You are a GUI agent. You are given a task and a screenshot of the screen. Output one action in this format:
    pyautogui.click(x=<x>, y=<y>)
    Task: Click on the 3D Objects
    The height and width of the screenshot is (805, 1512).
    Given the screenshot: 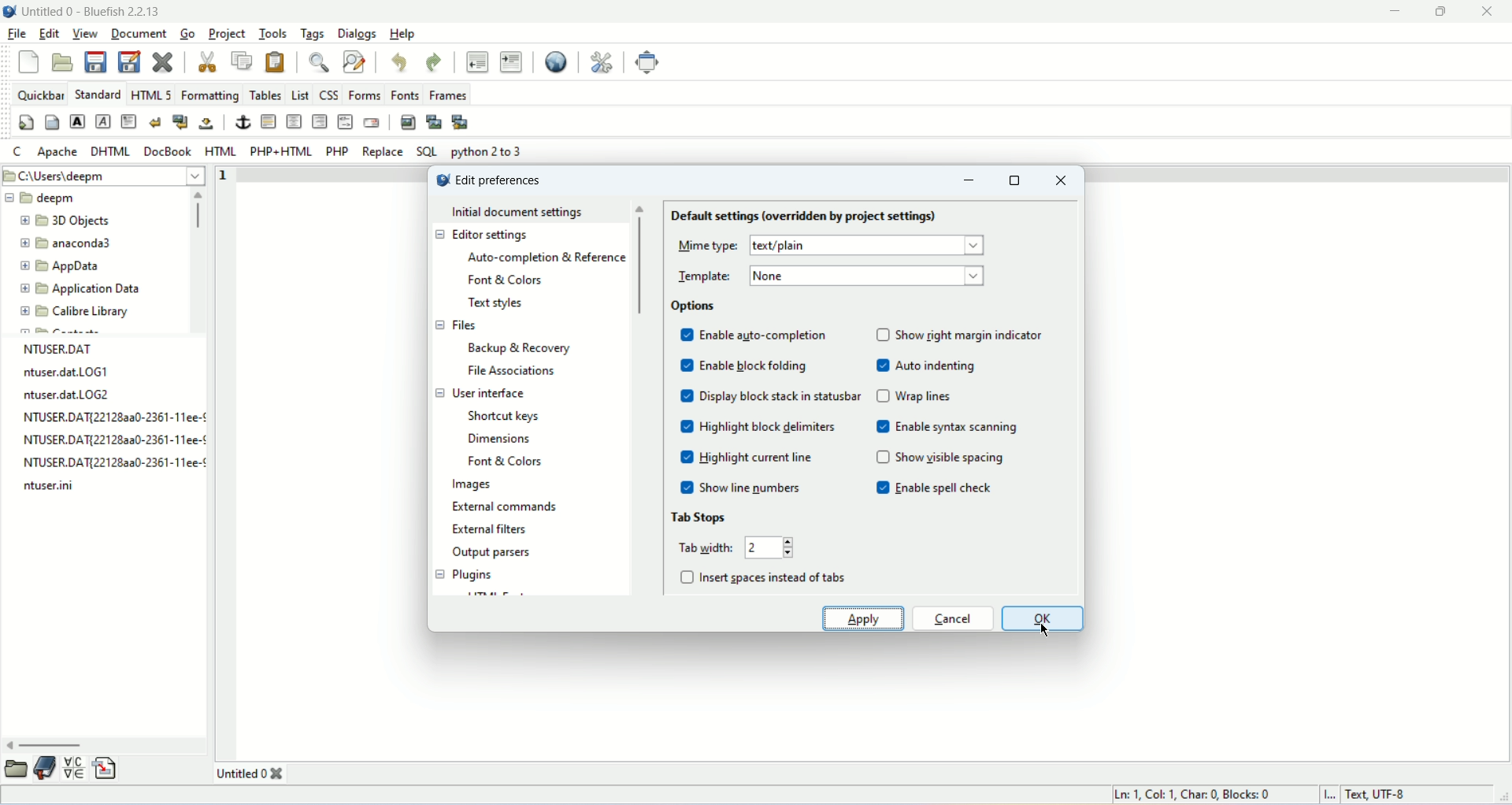 What is the action you would take?
    pyautogui.click(x=83, y=221)
    